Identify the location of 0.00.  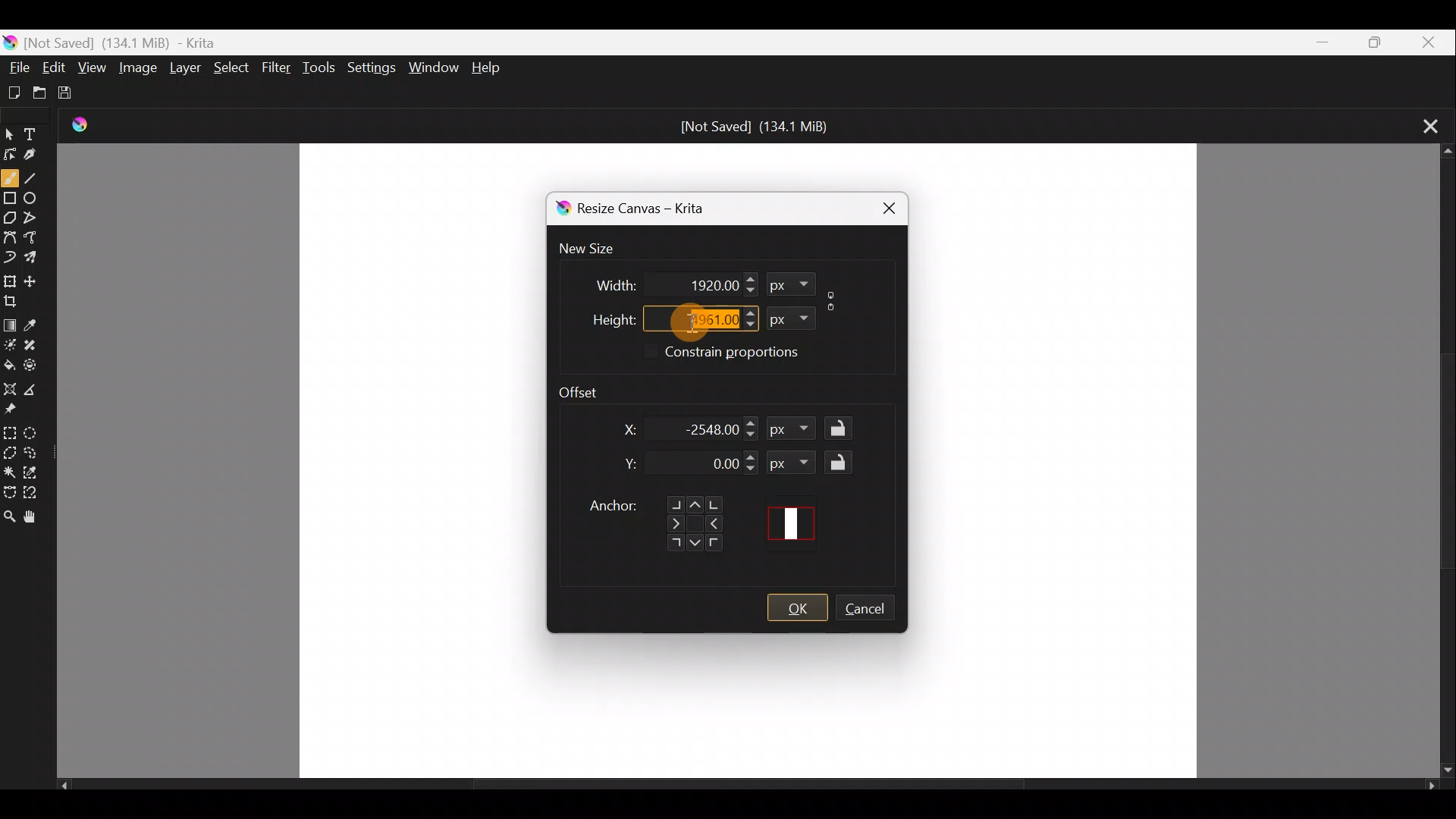
(711, 465).